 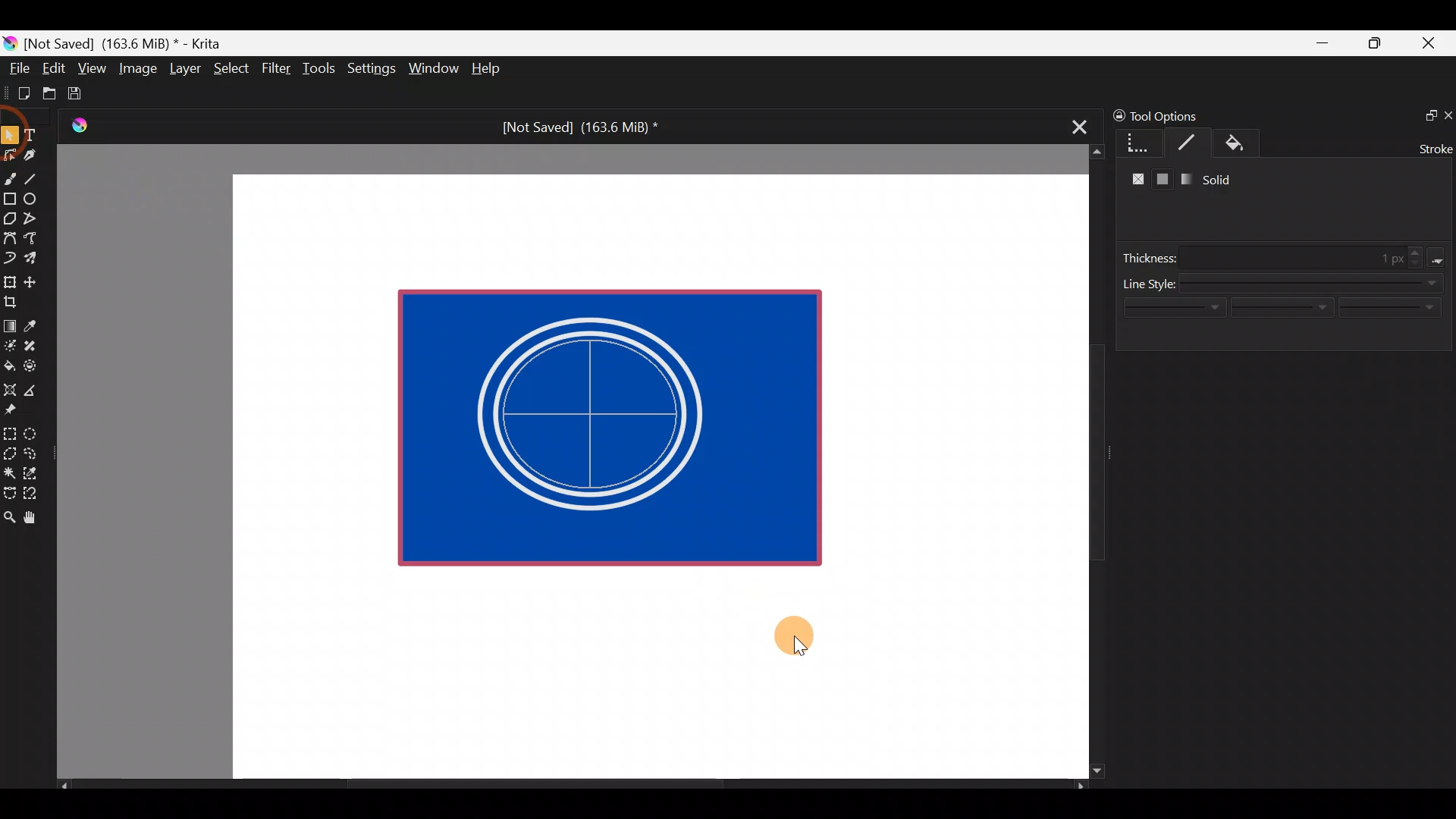 I want to click on Edit, so click(x=53, y=71).